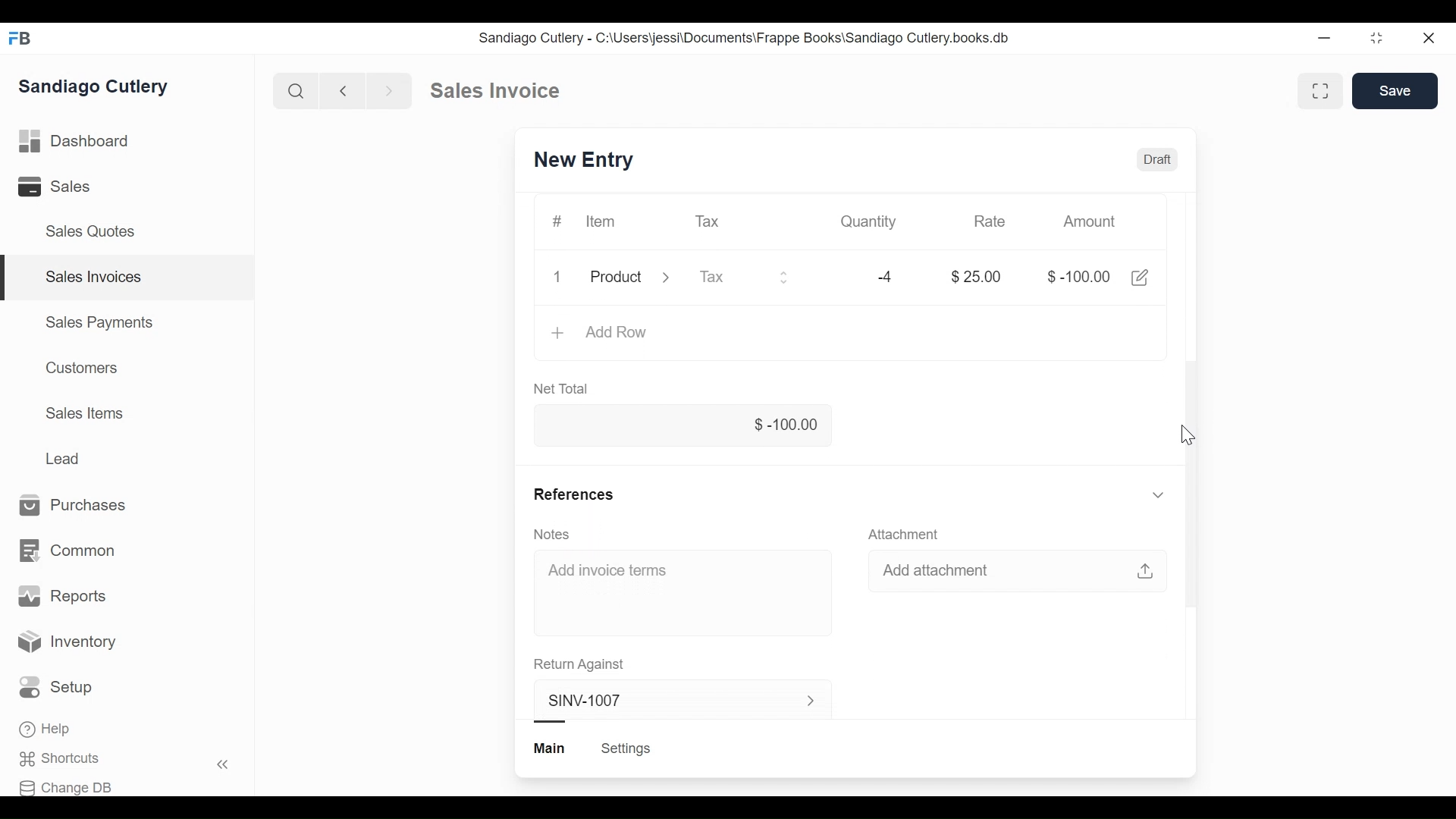 The height and width of the screenshot is (819, 1456). I want to click on Settings, so click(626, 748).